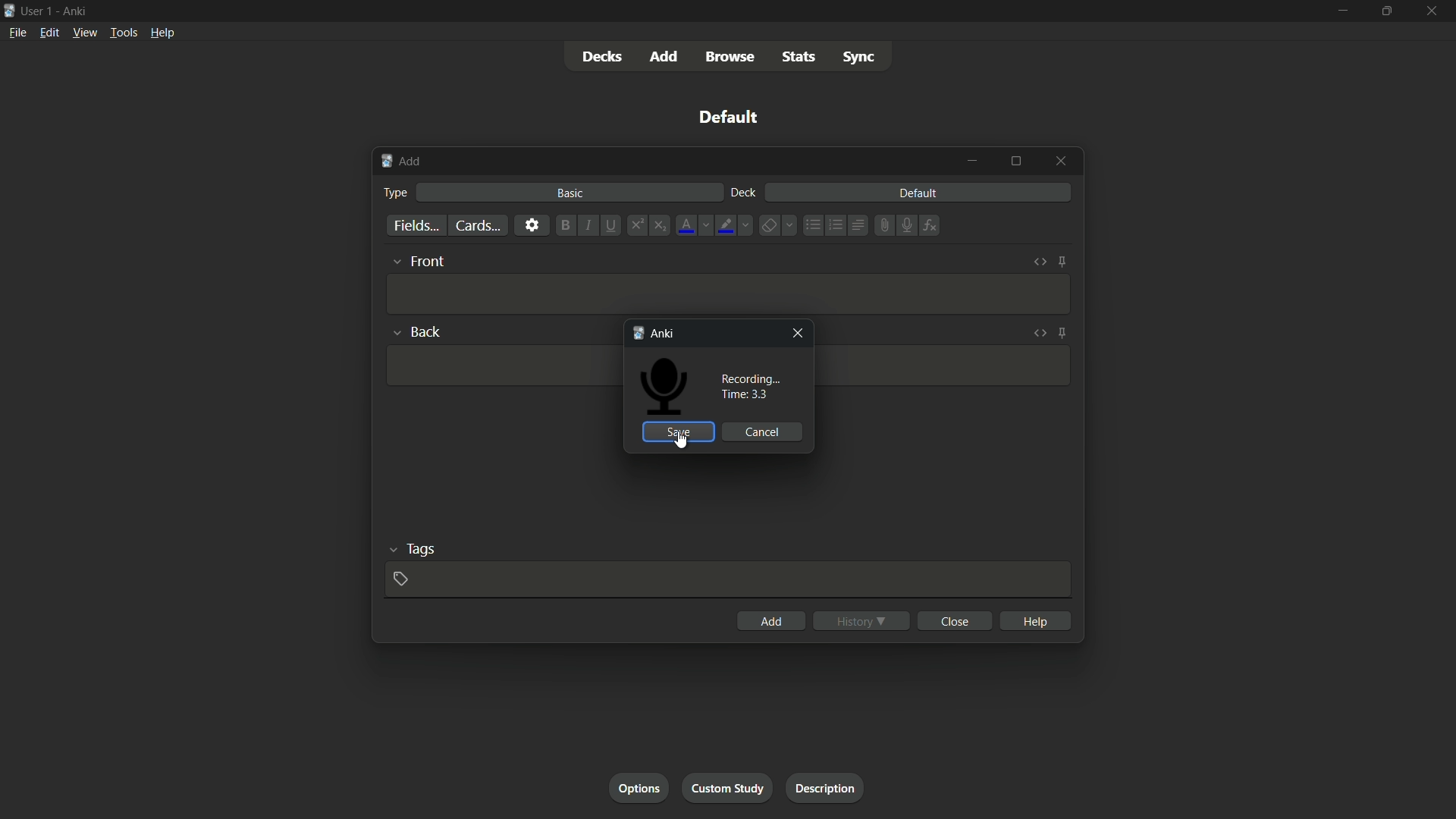 Image resolution: width=1456 pixels, height=819 pixels. What do you see at coordinates (729, 788) in the screenshot?
I see `custom study` at bounding box center [729, 788].